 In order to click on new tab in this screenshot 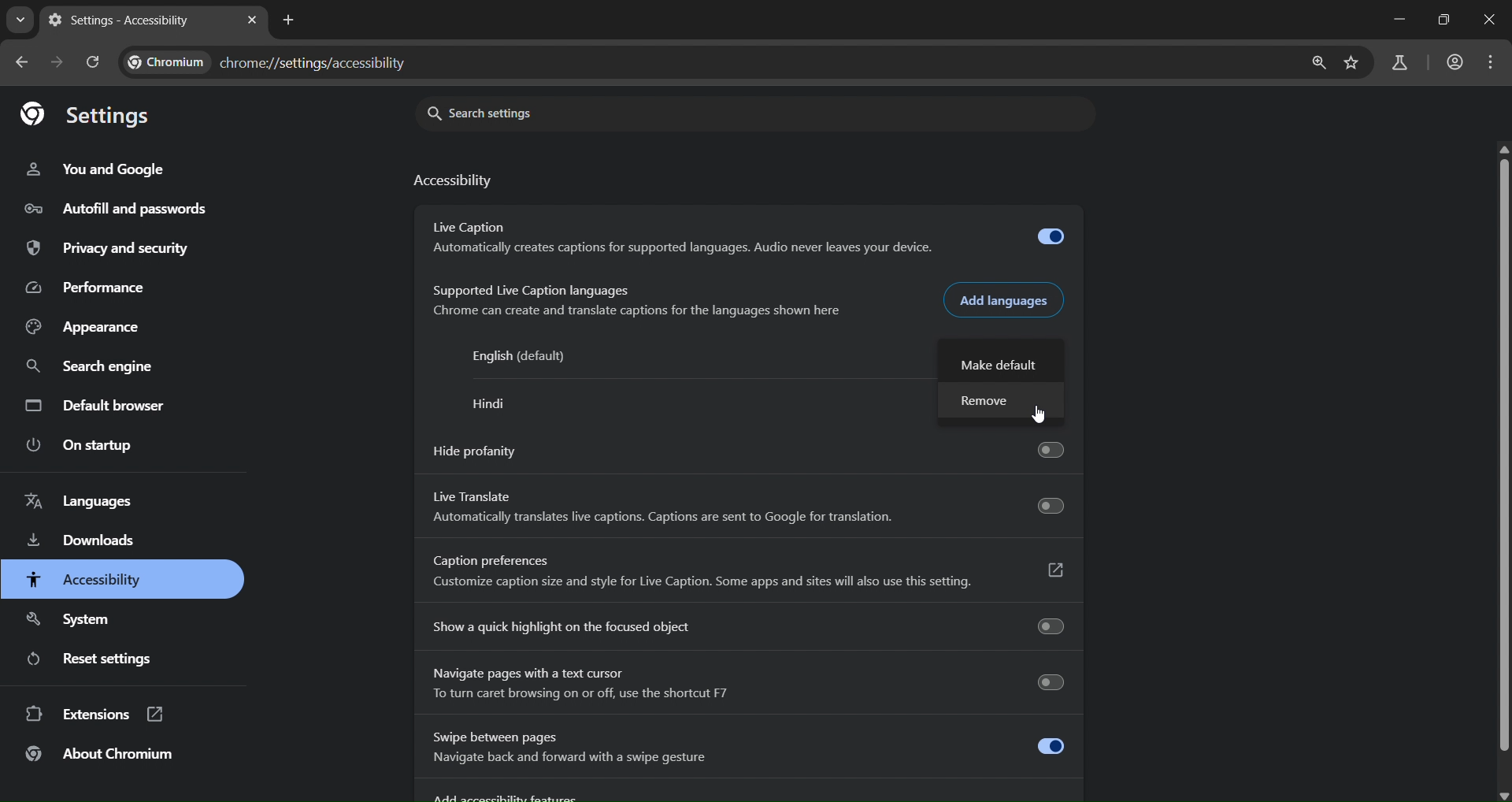, I will do `click(288, 22)`.